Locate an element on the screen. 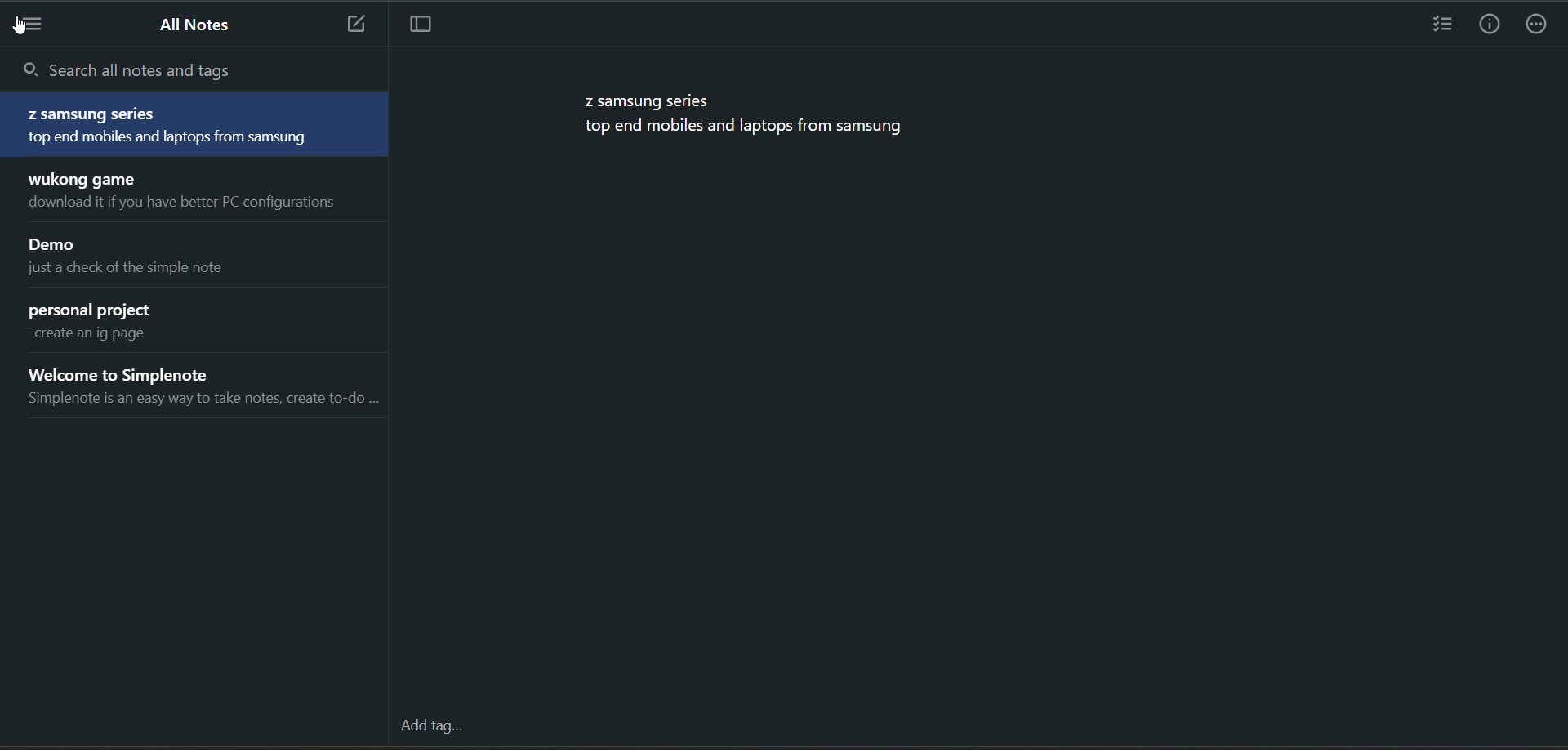  toggle focus mode is located at coordinates (417, 26).